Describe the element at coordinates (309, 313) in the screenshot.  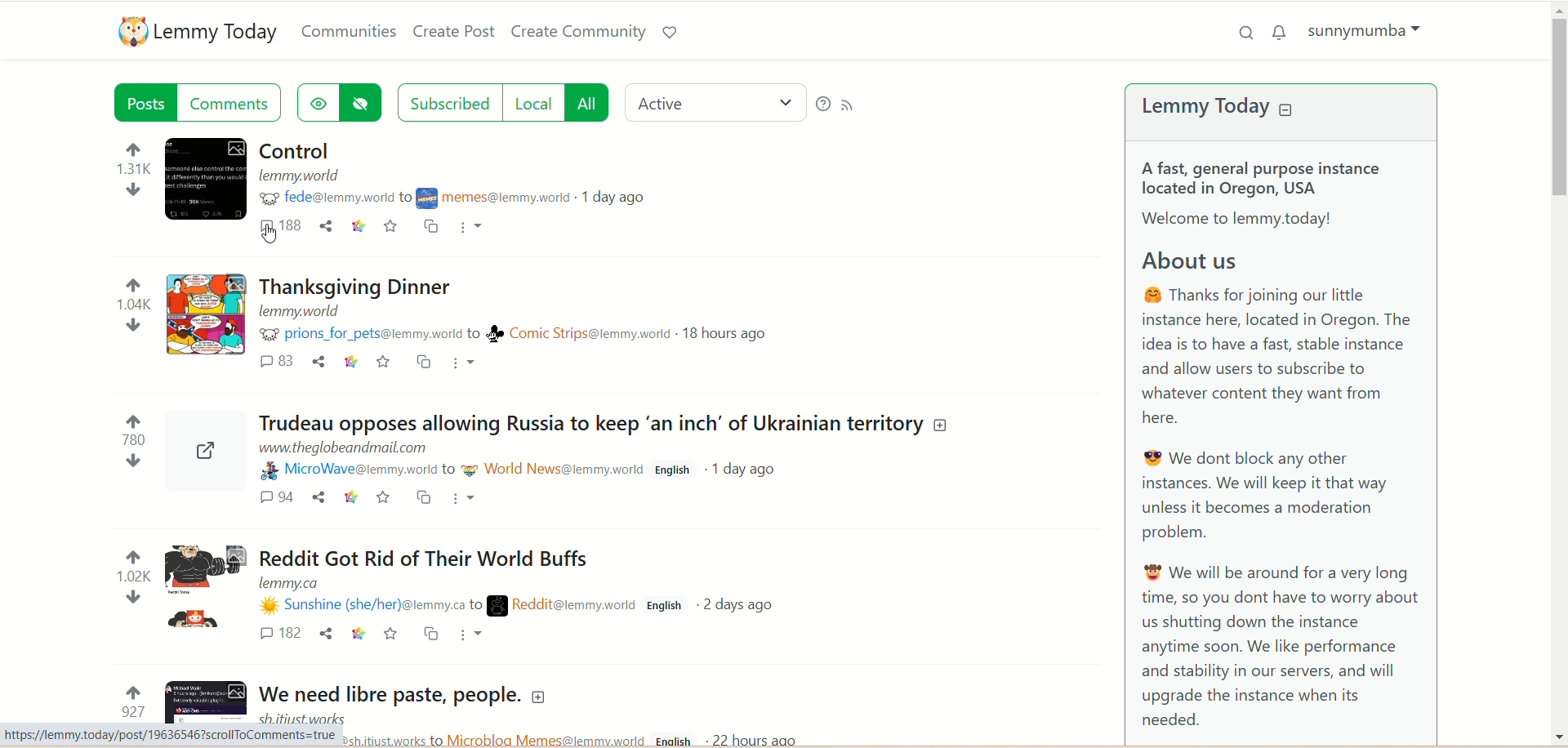
I see `URL` at that location.